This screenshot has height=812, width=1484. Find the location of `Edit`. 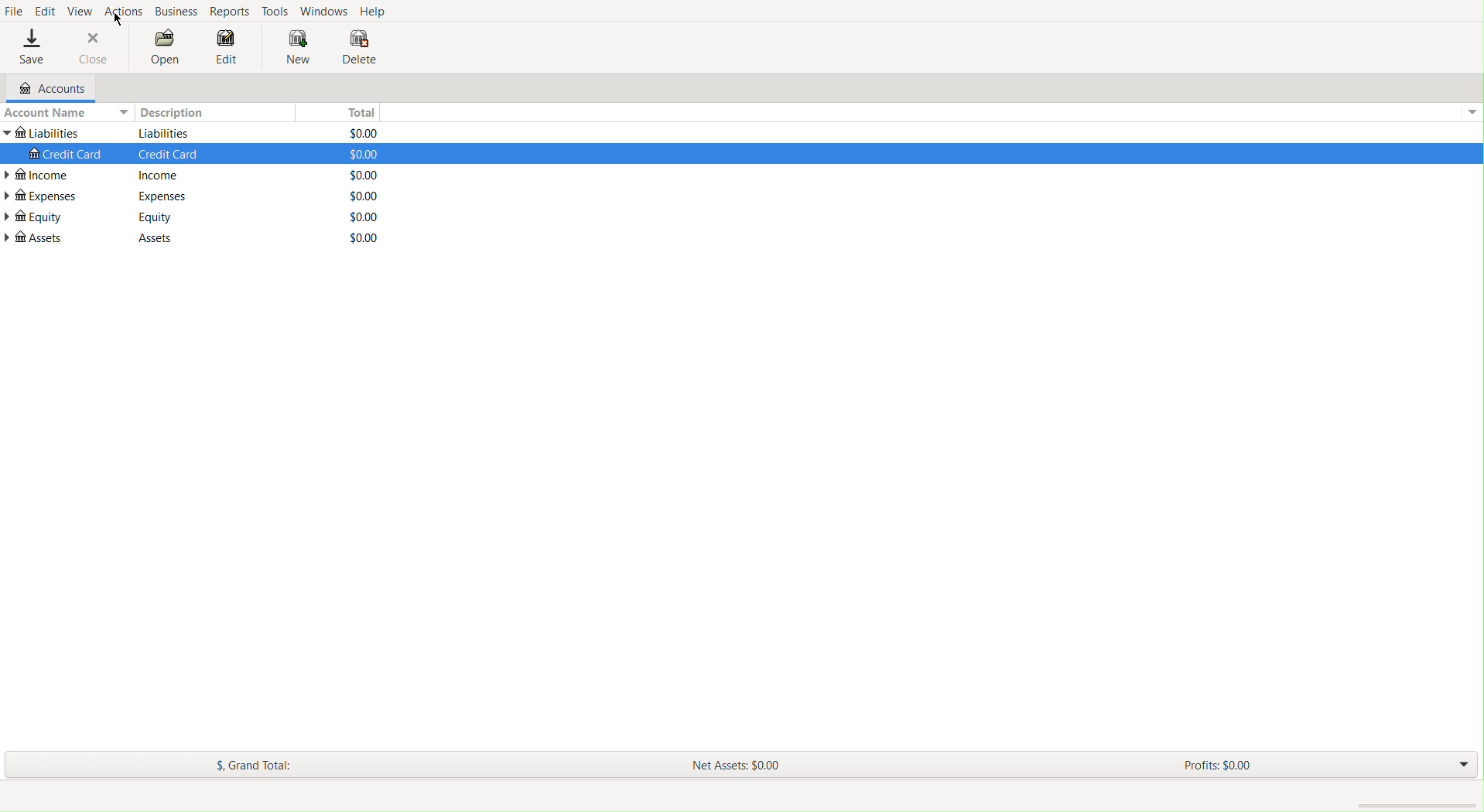

Edit is located at coordinates (46, 11).